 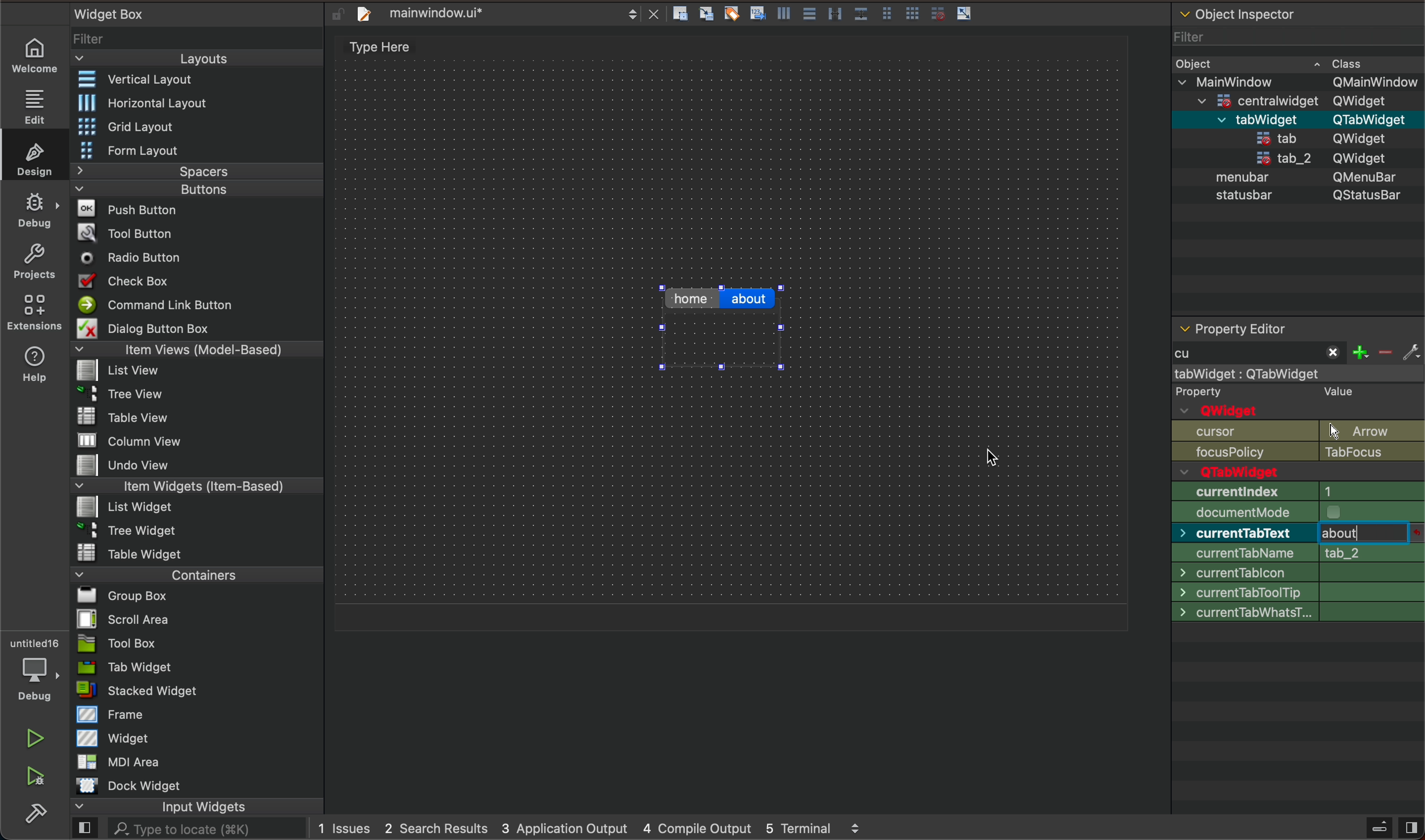 I want to click on menubar QMenuBar, so click(x=1295, y=118).